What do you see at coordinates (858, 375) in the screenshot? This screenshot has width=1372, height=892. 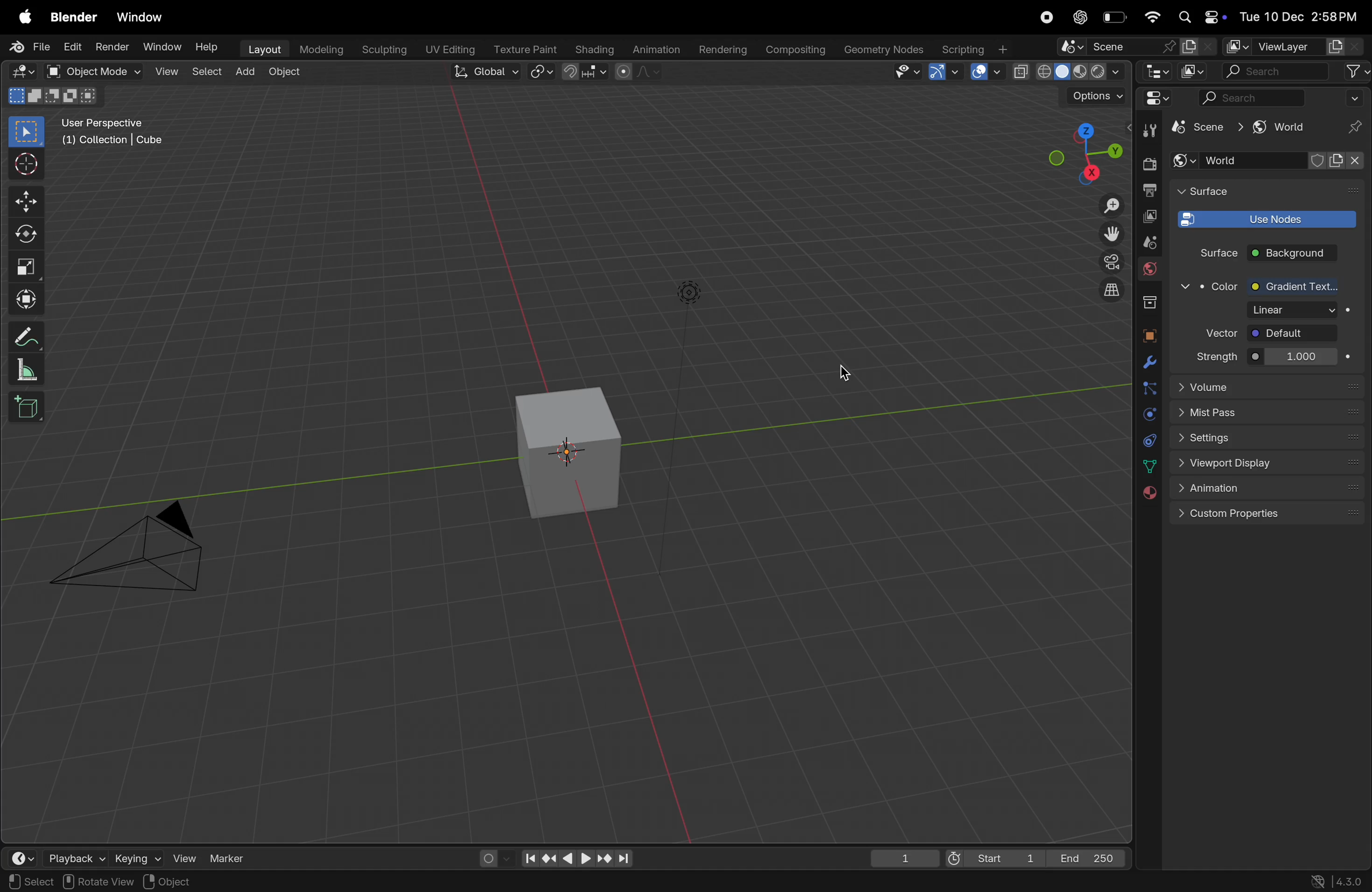 I see `color` at bounding box center [858, 375].